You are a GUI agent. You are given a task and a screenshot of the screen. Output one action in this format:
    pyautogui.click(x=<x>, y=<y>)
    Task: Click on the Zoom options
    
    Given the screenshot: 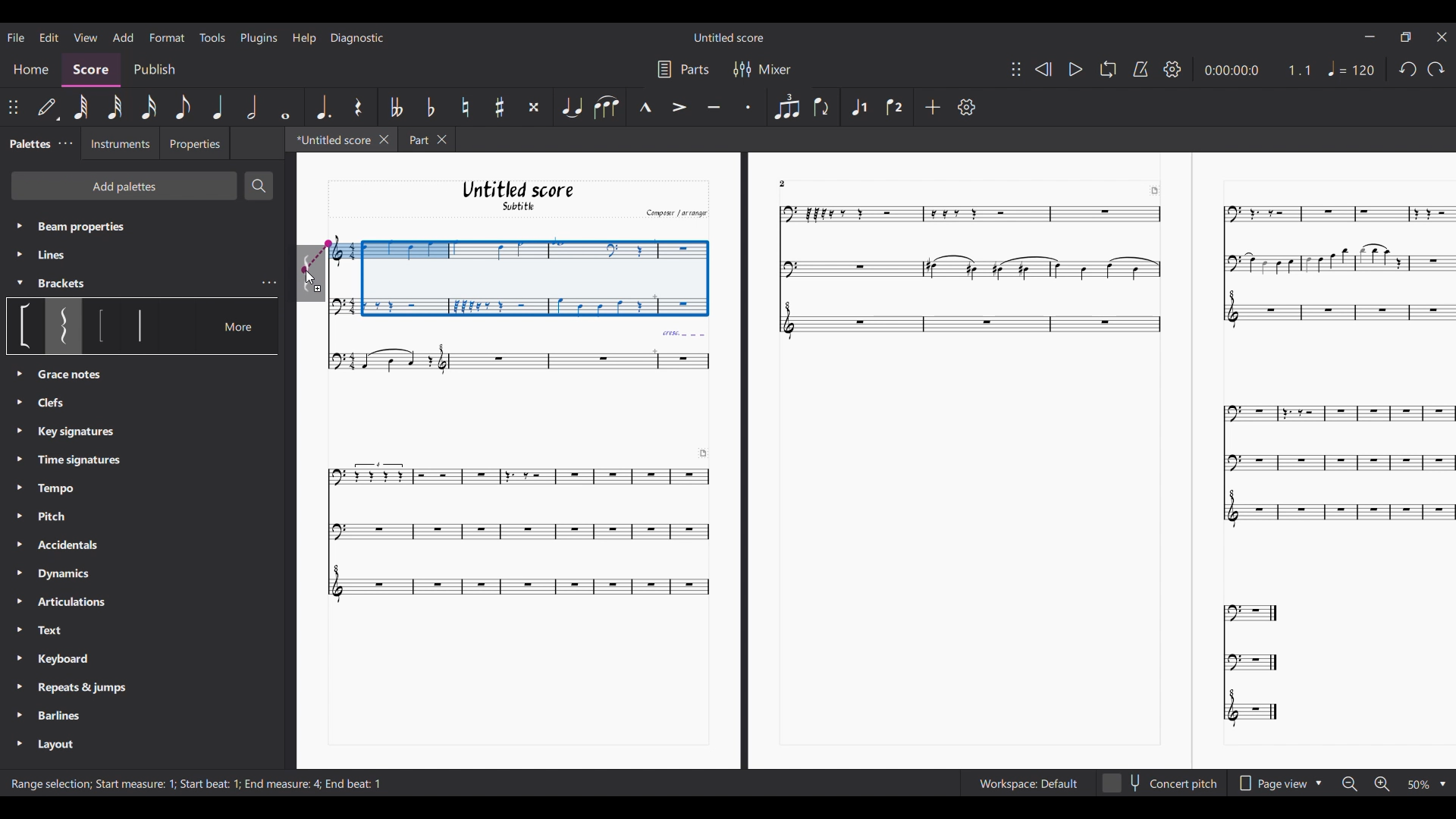 What is the action you would take?
    pyautogui.click(x=1418, y=785)
    